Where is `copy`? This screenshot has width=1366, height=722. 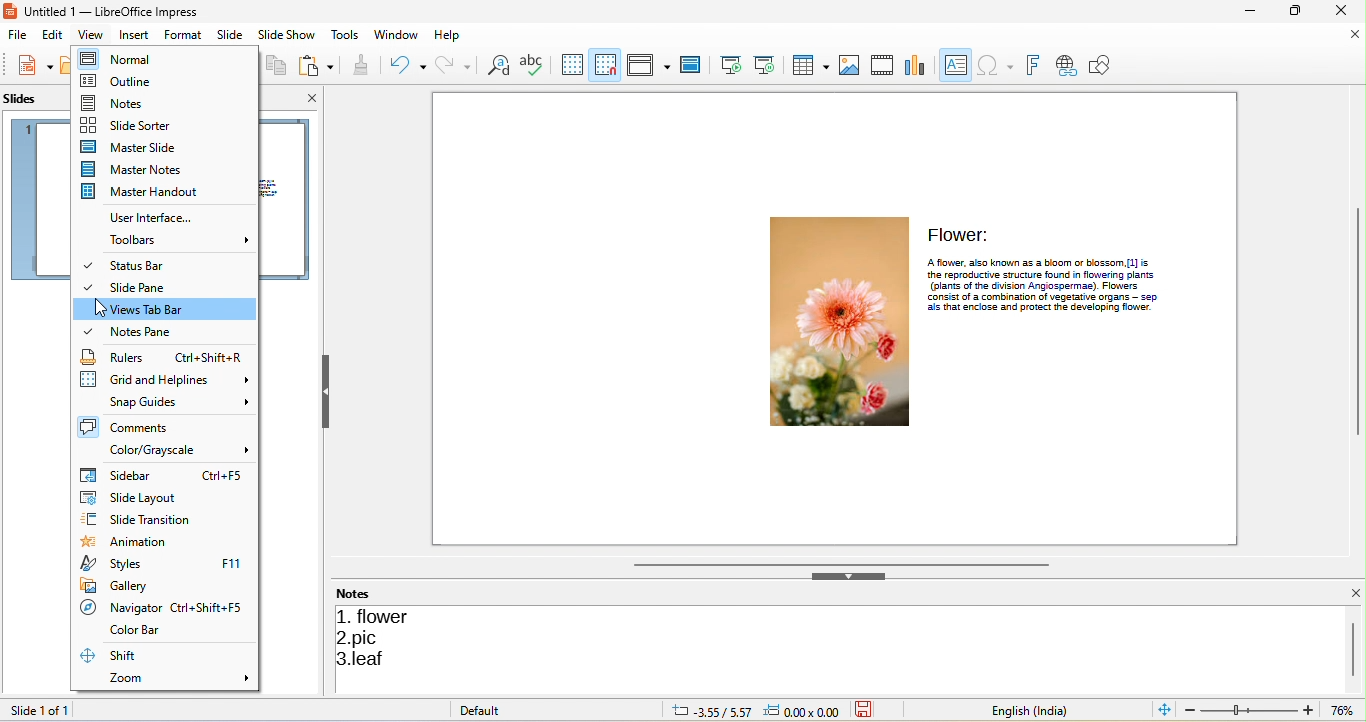
copy is located at coordinates (277, 65).